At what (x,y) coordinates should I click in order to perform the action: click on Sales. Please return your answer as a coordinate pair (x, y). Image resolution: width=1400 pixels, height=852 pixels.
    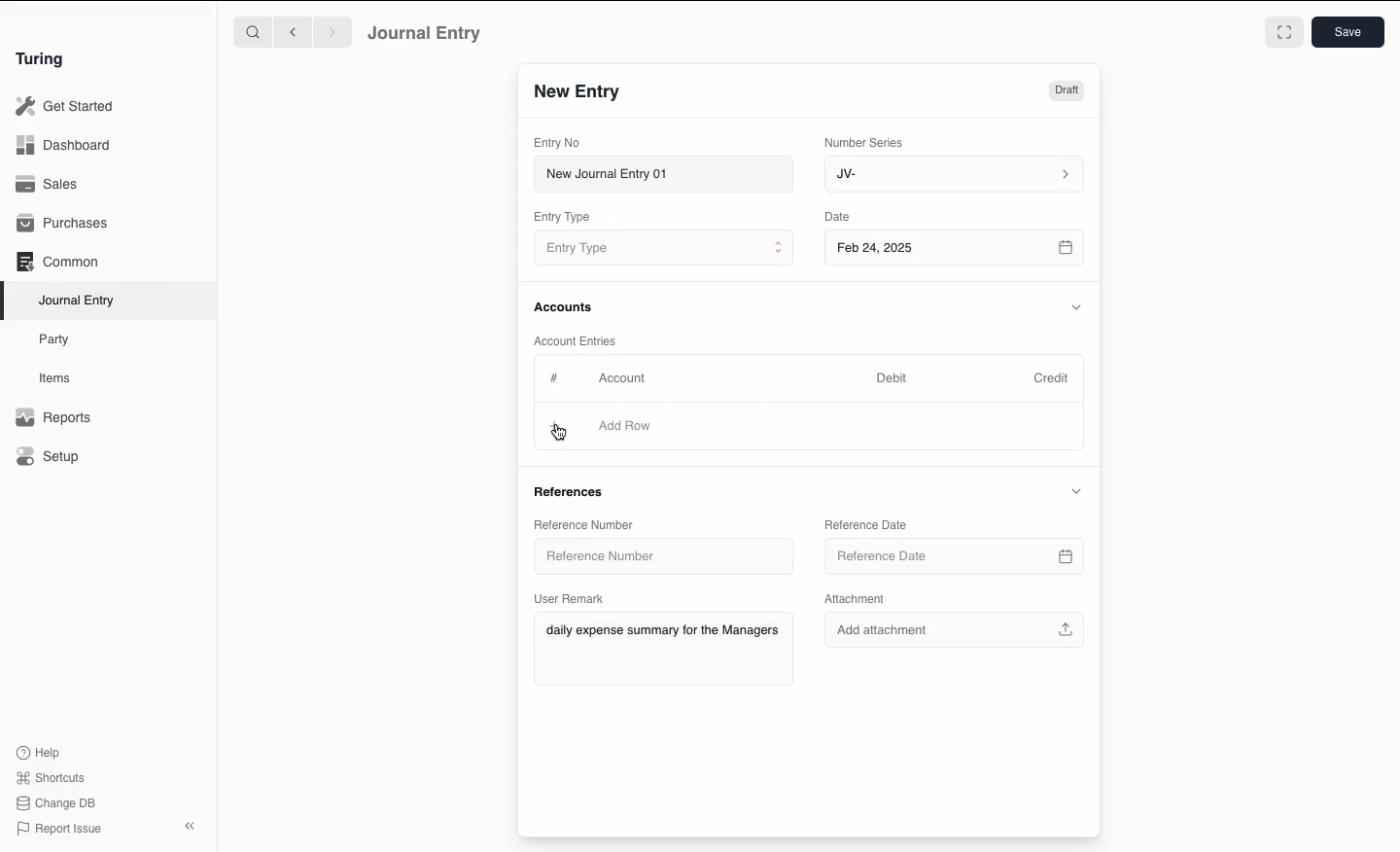
    Looking at the image, I should click on (50, 184).